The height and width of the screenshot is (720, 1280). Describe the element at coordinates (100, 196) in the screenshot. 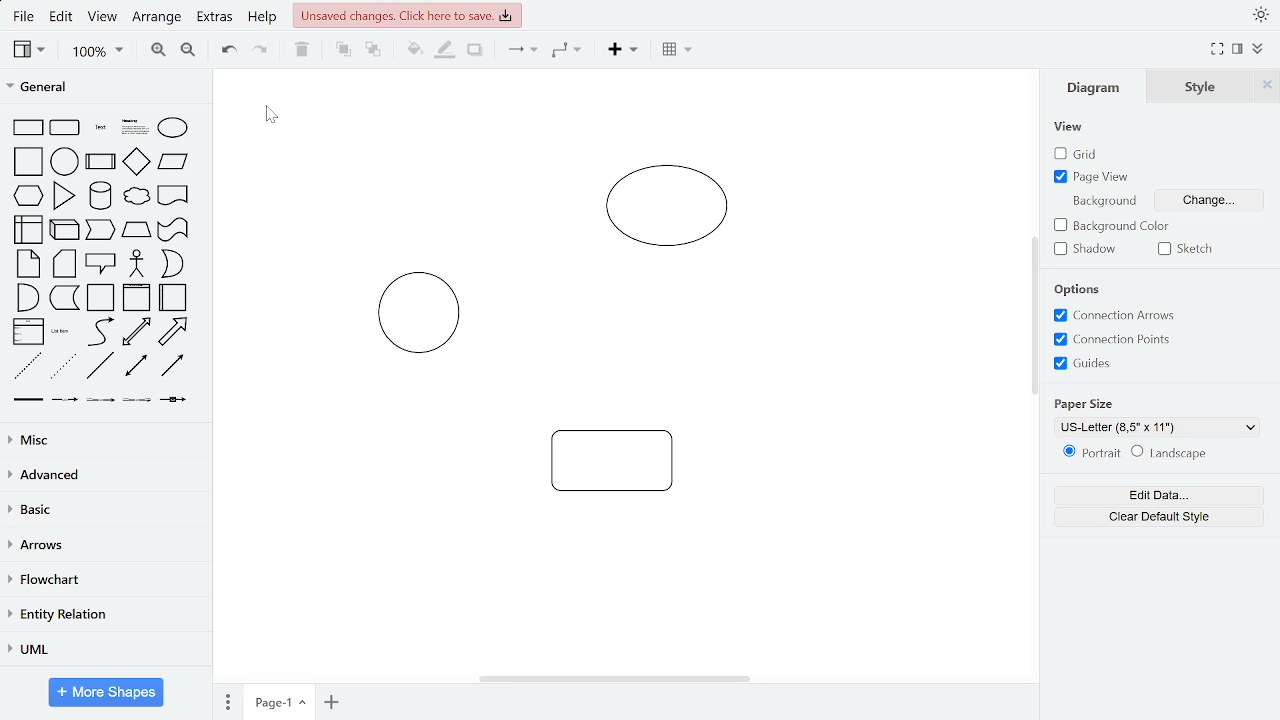

I see `cylinder` at that location.